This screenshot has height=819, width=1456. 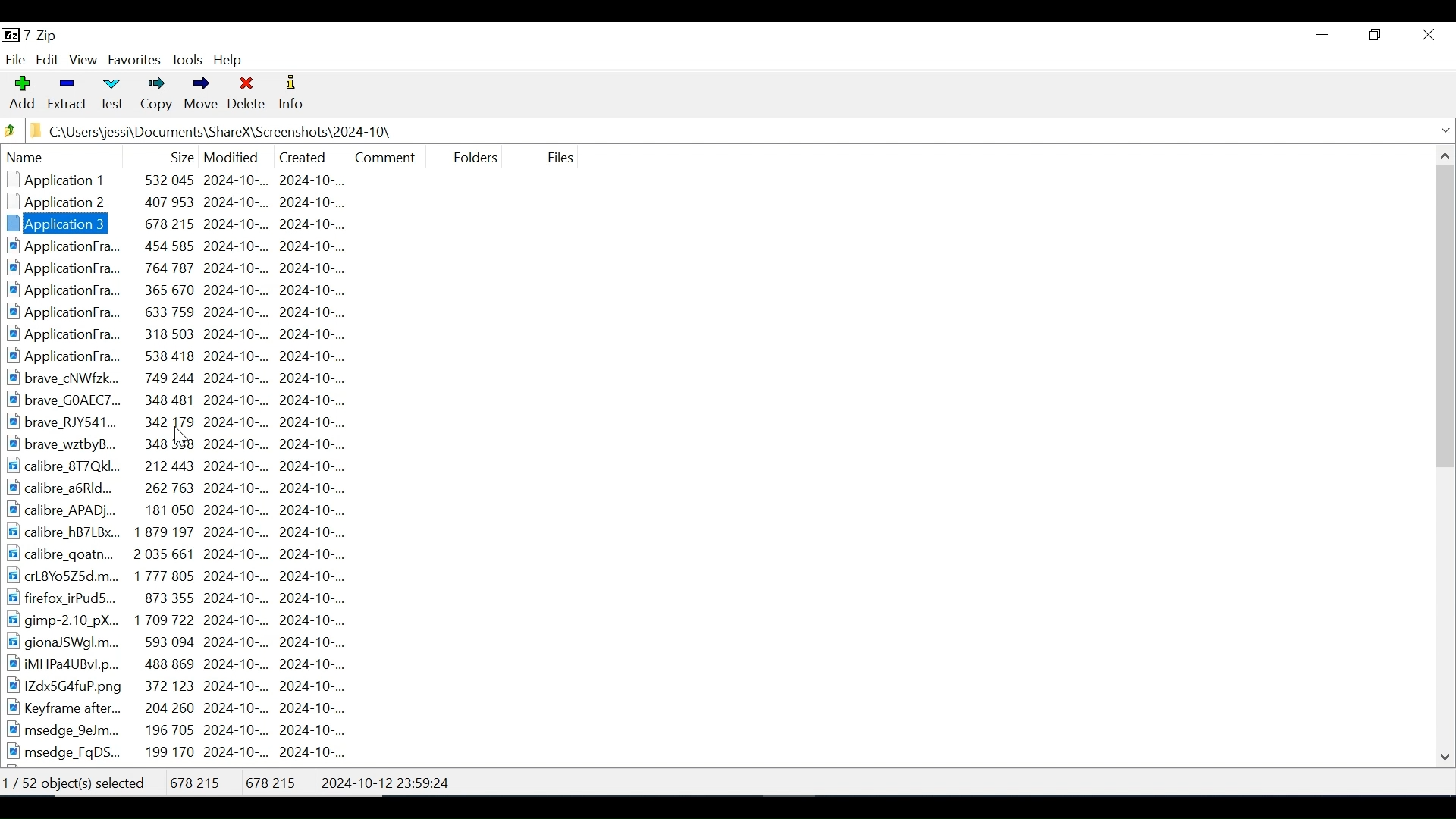 I want to click on msedge_FgDS... 199 170 2024-10-... 2024-10-..., so click(x=178, y=753).